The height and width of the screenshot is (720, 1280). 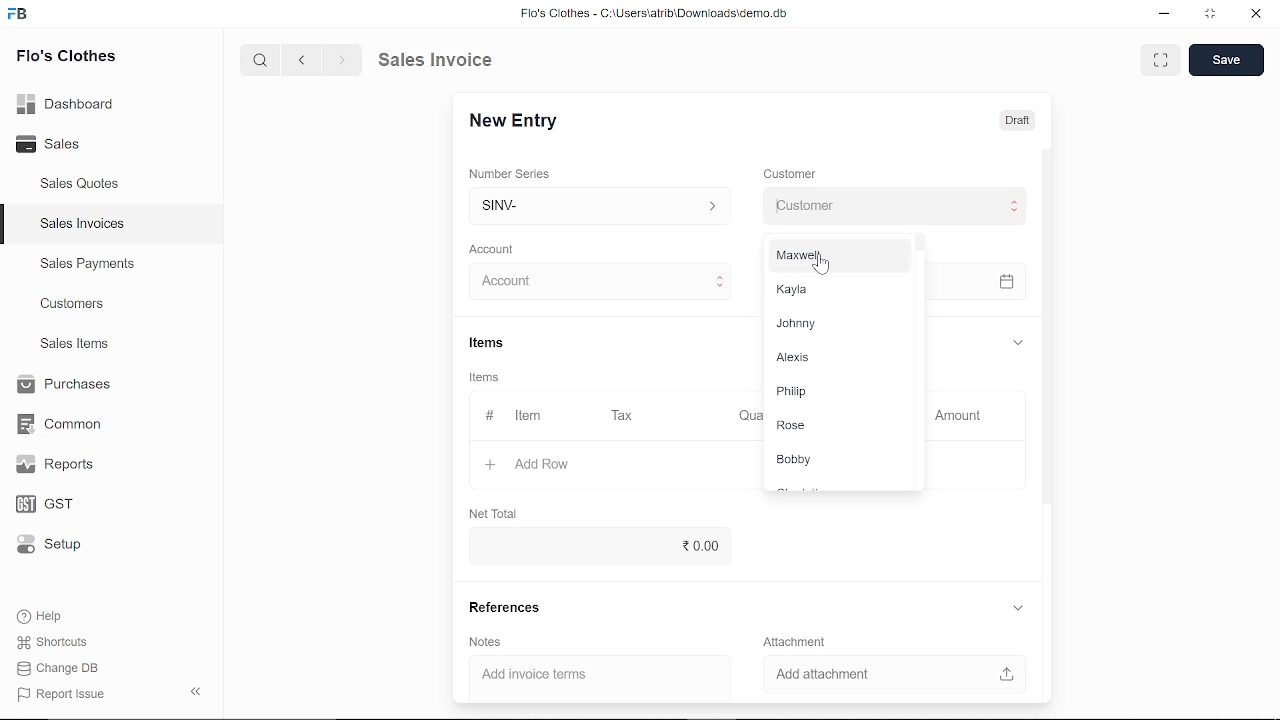 What do you see at coordinates (839, 392) in the screenshot?
I see `Philip` at bounding box center [839, 392].